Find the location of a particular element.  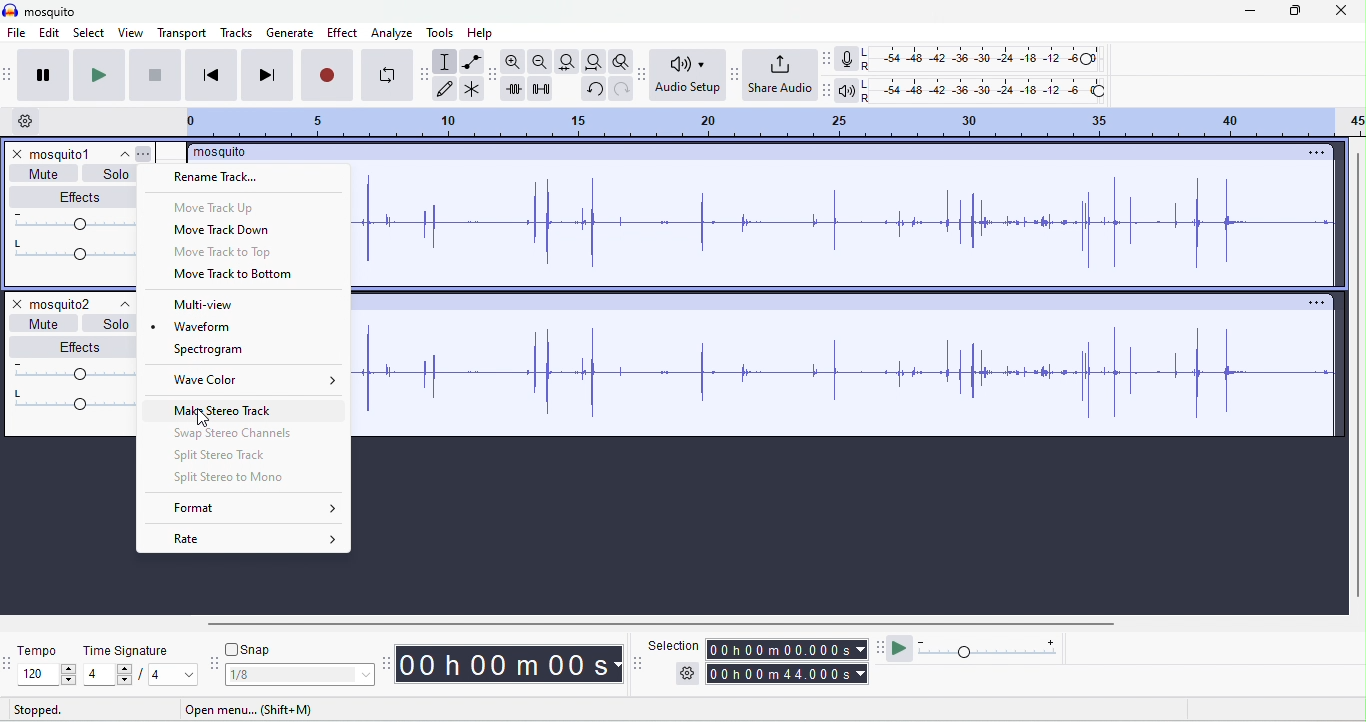

spectrogram is located at coordinates (207, 350).